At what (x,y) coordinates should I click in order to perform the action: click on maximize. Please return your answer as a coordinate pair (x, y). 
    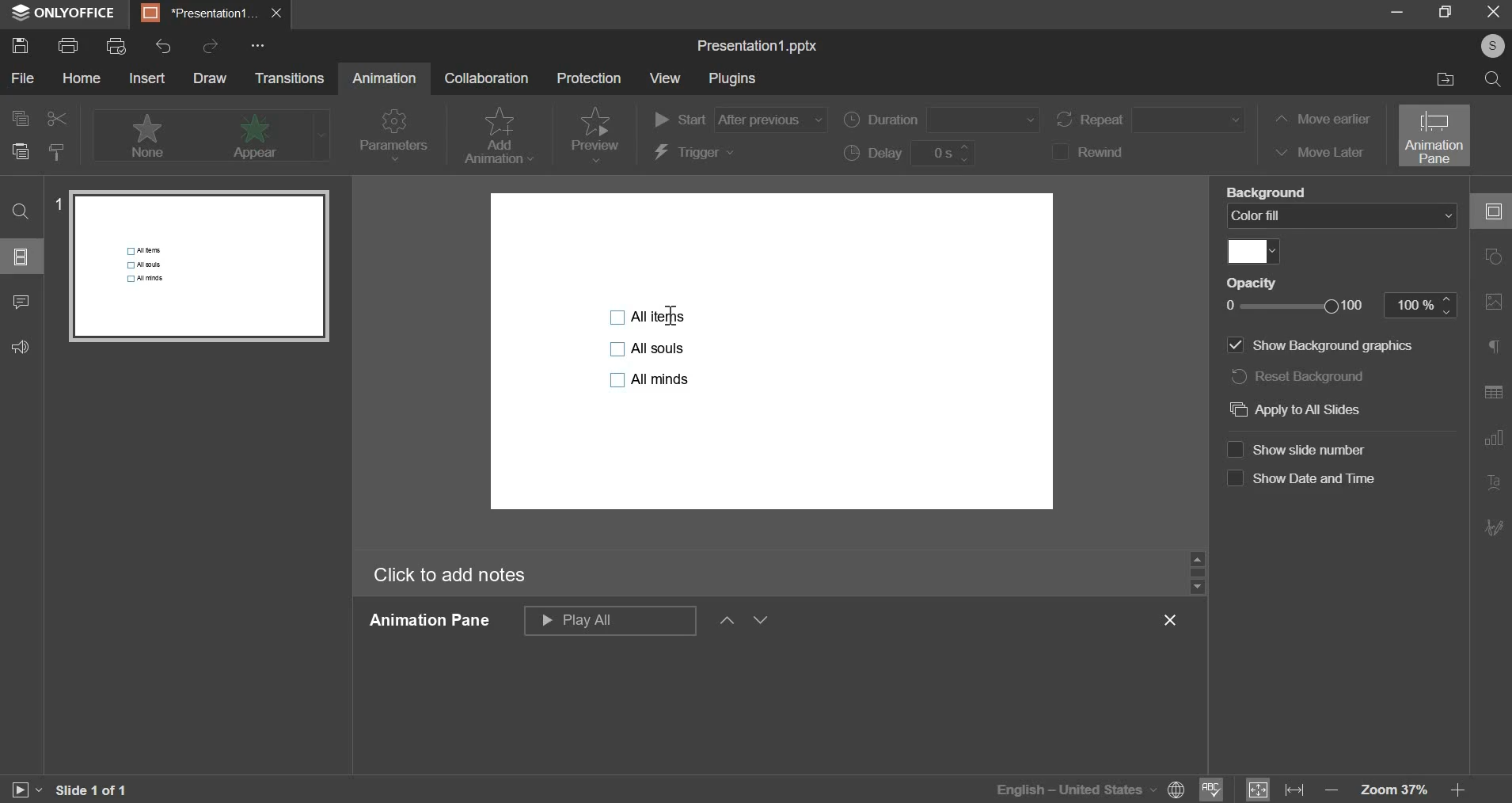
    Looking at the image, I should click on (1445, 13).